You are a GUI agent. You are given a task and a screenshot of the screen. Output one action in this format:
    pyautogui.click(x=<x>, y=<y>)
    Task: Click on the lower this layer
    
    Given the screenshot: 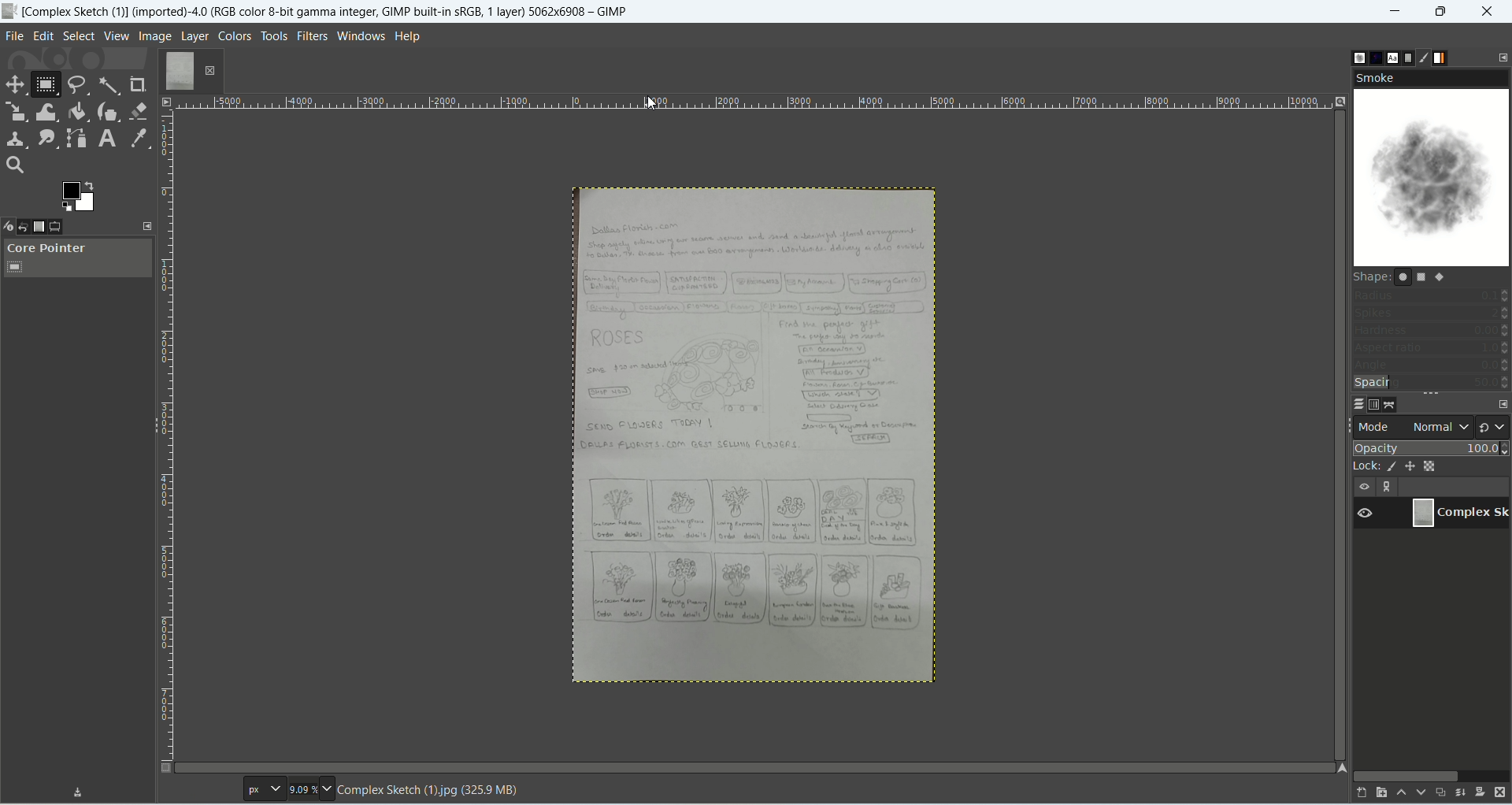 What is the action you would take?
    pyautogui.click(x=1421, y=793)
    